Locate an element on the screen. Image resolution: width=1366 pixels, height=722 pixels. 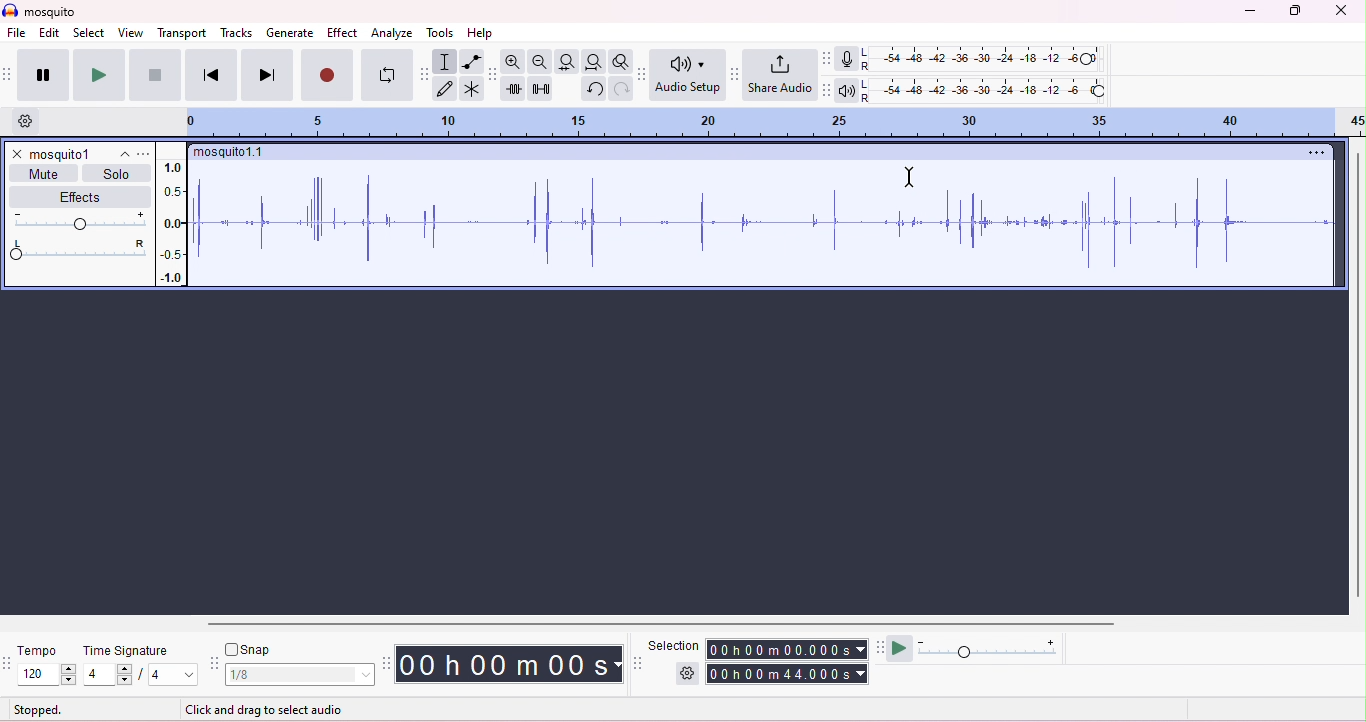
draw is located at coordinates (446, 90).